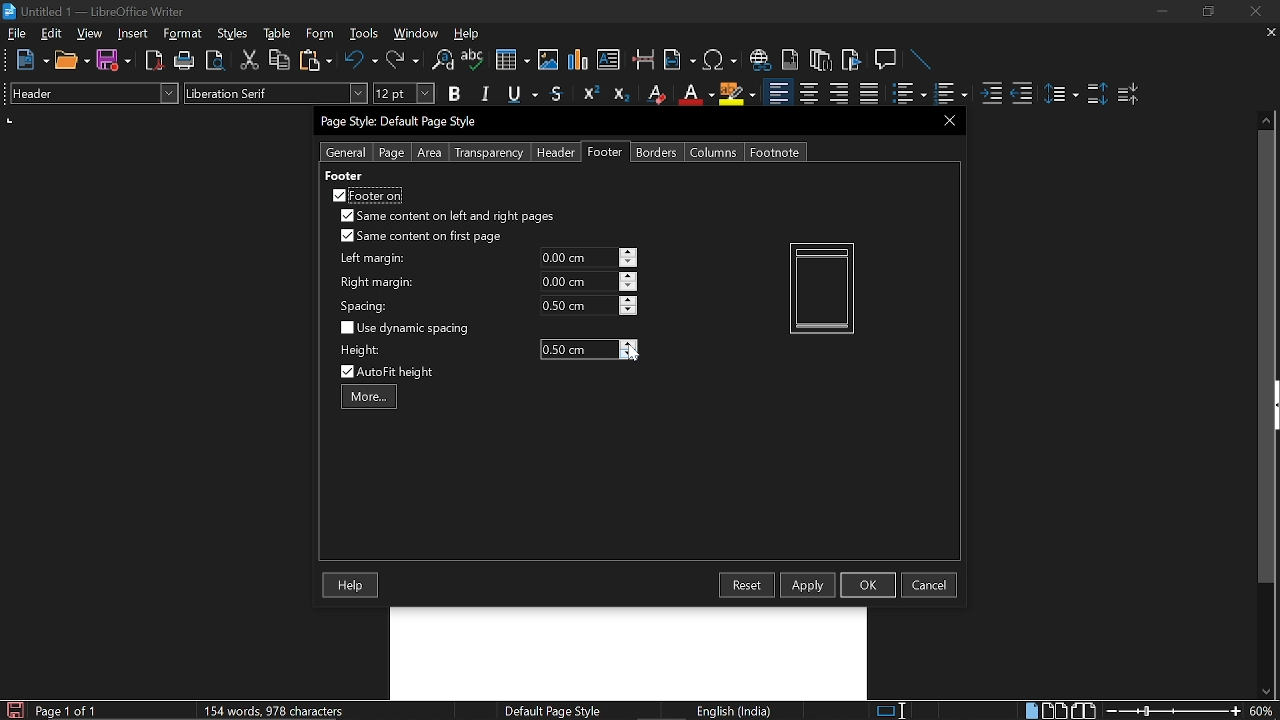 The height and width of the screenshot is (720, 1280). Describe the element at coordinates (774, 152) in the screenshot. I see `Footnote` at that location.